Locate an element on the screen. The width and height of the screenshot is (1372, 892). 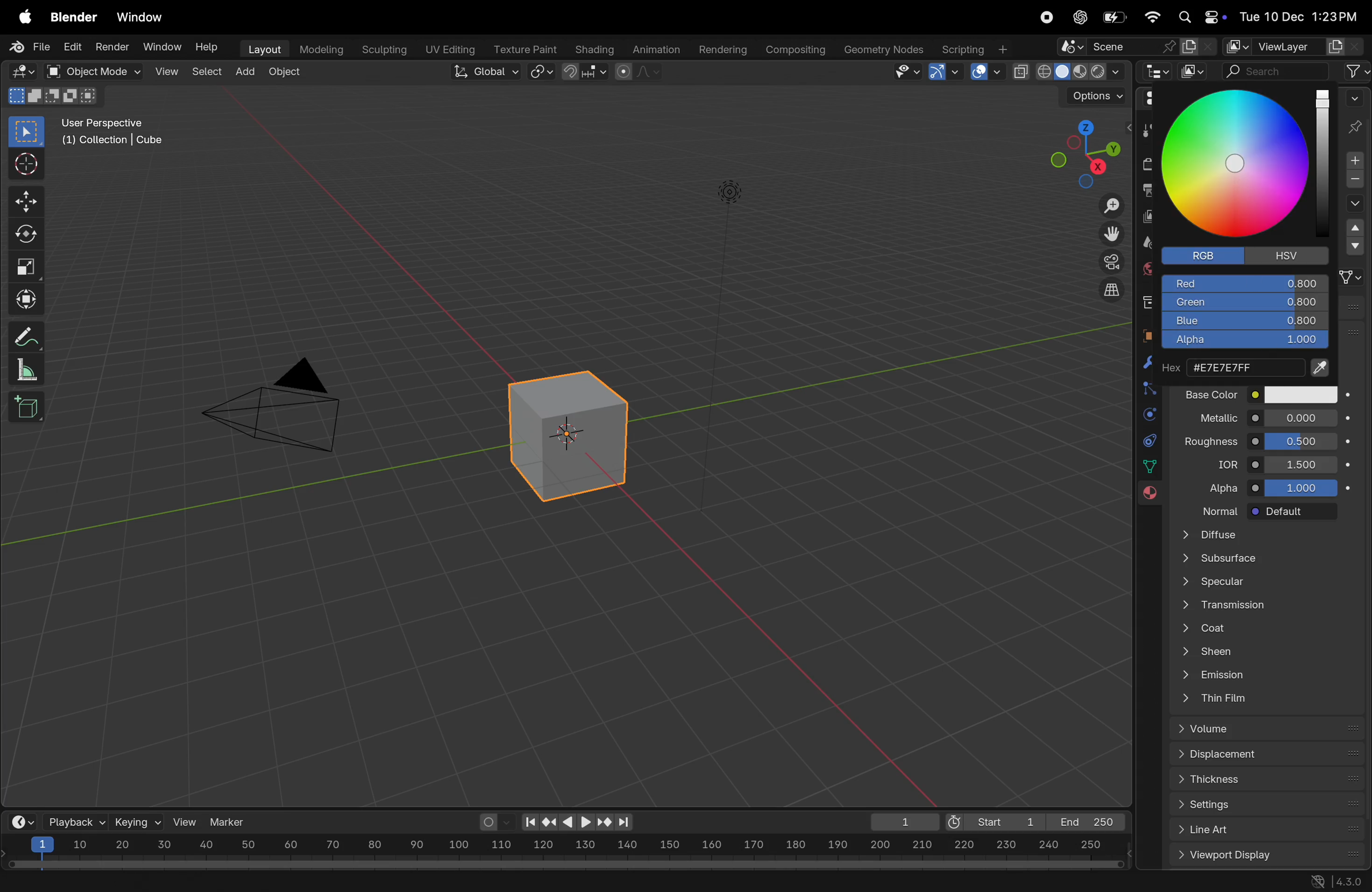
playback is located at coordinates (74, 821).